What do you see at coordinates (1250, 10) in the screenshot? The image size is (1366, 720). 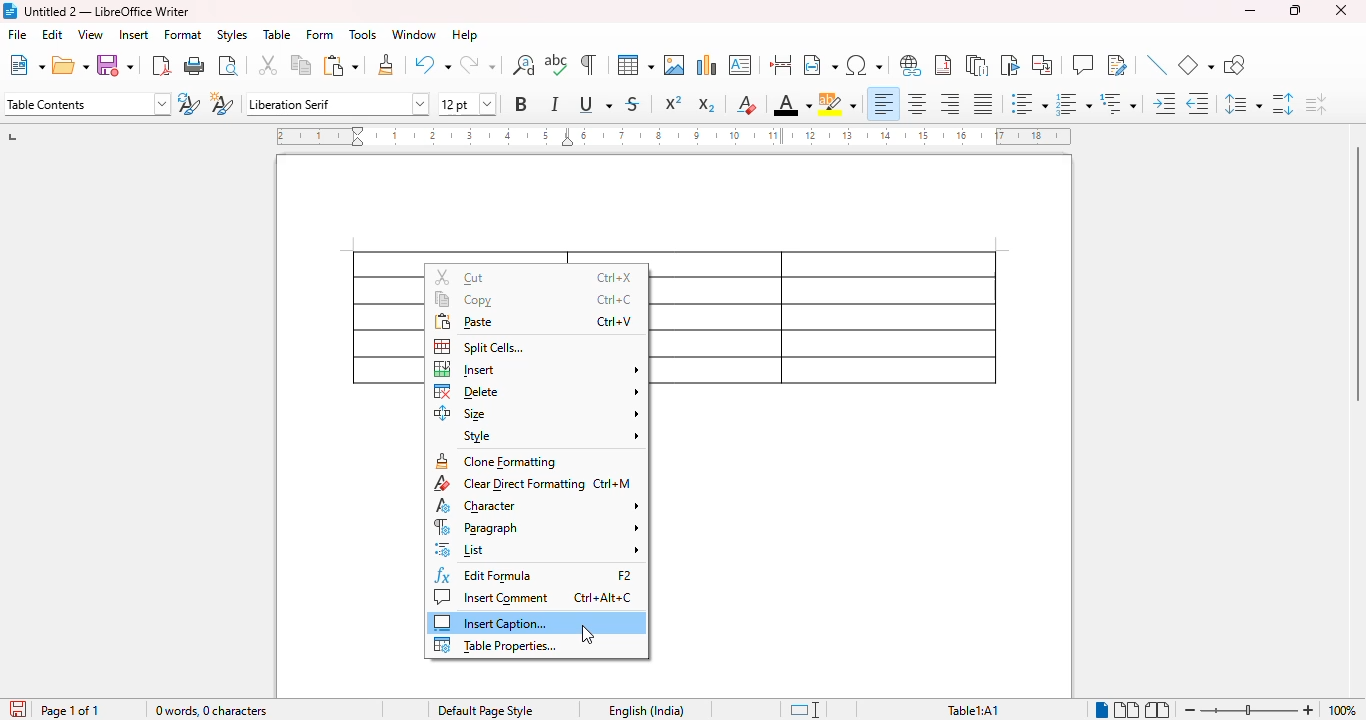 I see `minimize` at bounding box center [1250, 10].